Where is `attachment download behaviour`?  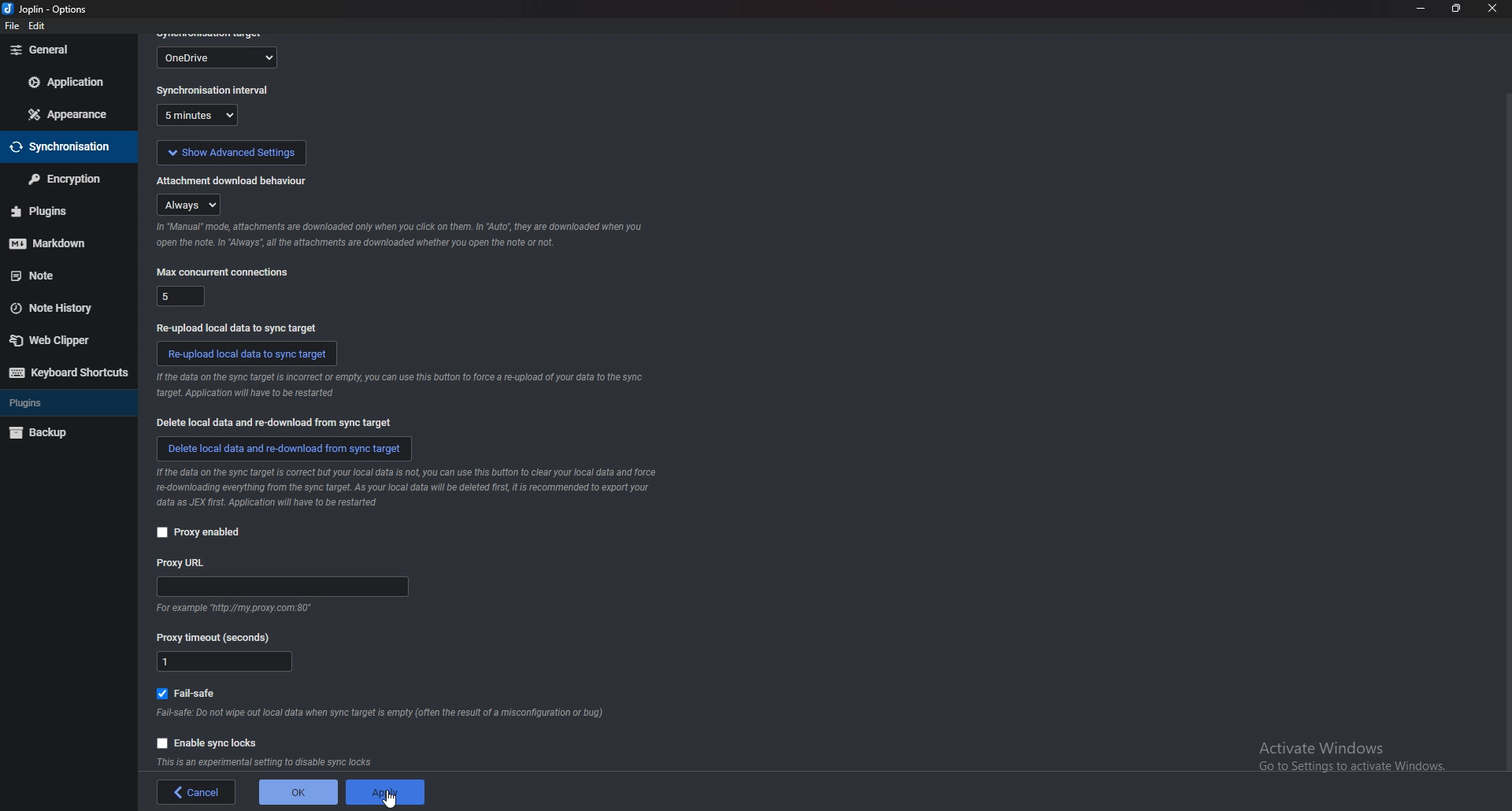 attachment download behaviour is located at coordinates (233, 179).